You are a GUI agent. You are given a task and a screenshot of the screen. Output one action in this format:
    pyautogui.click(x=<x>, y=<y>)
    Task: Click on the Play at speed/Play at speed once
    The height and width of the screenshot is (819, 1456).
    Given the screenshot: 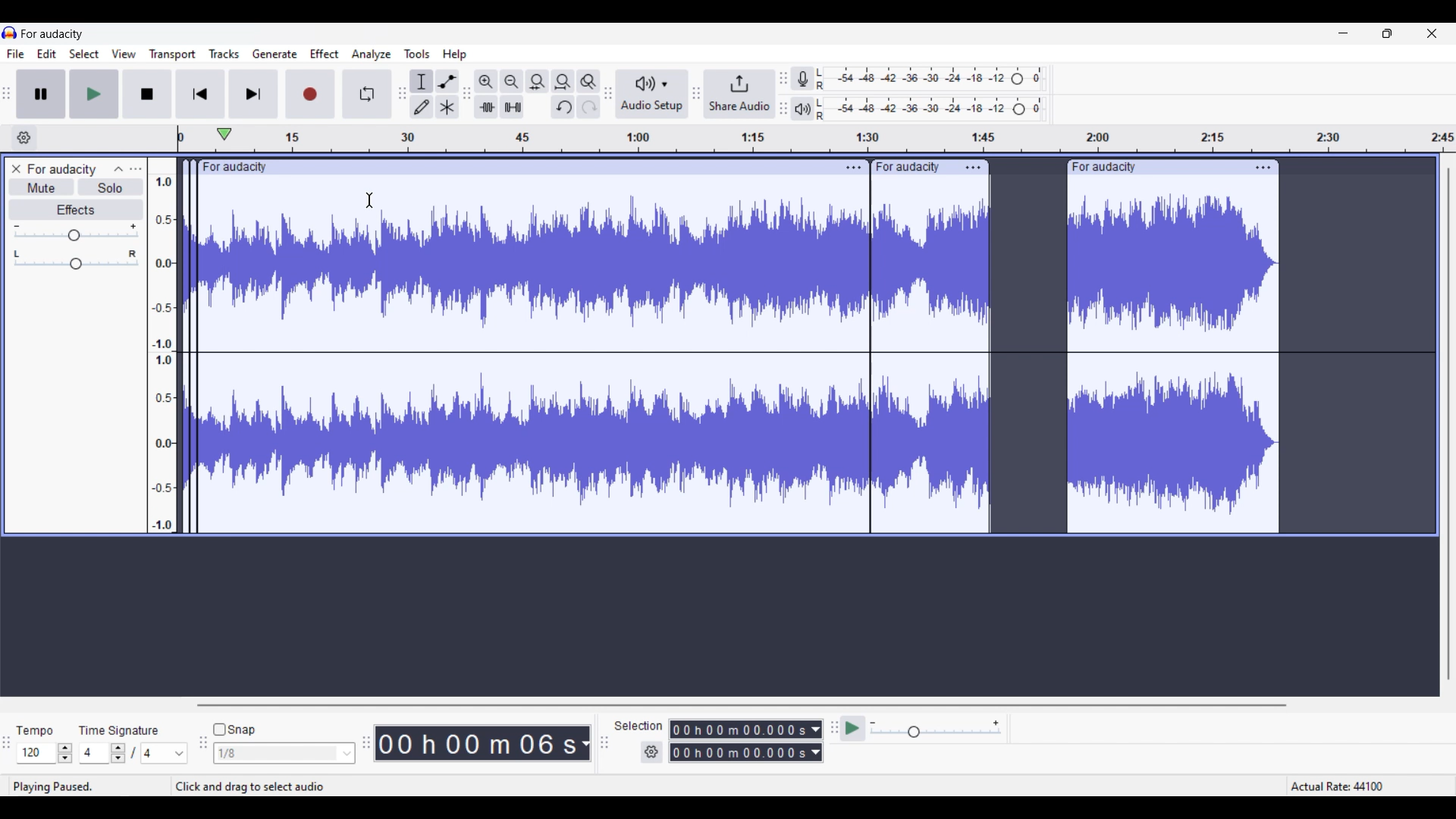 What is the action you would take?
    pyautogui.click(x=853, y=728)
    